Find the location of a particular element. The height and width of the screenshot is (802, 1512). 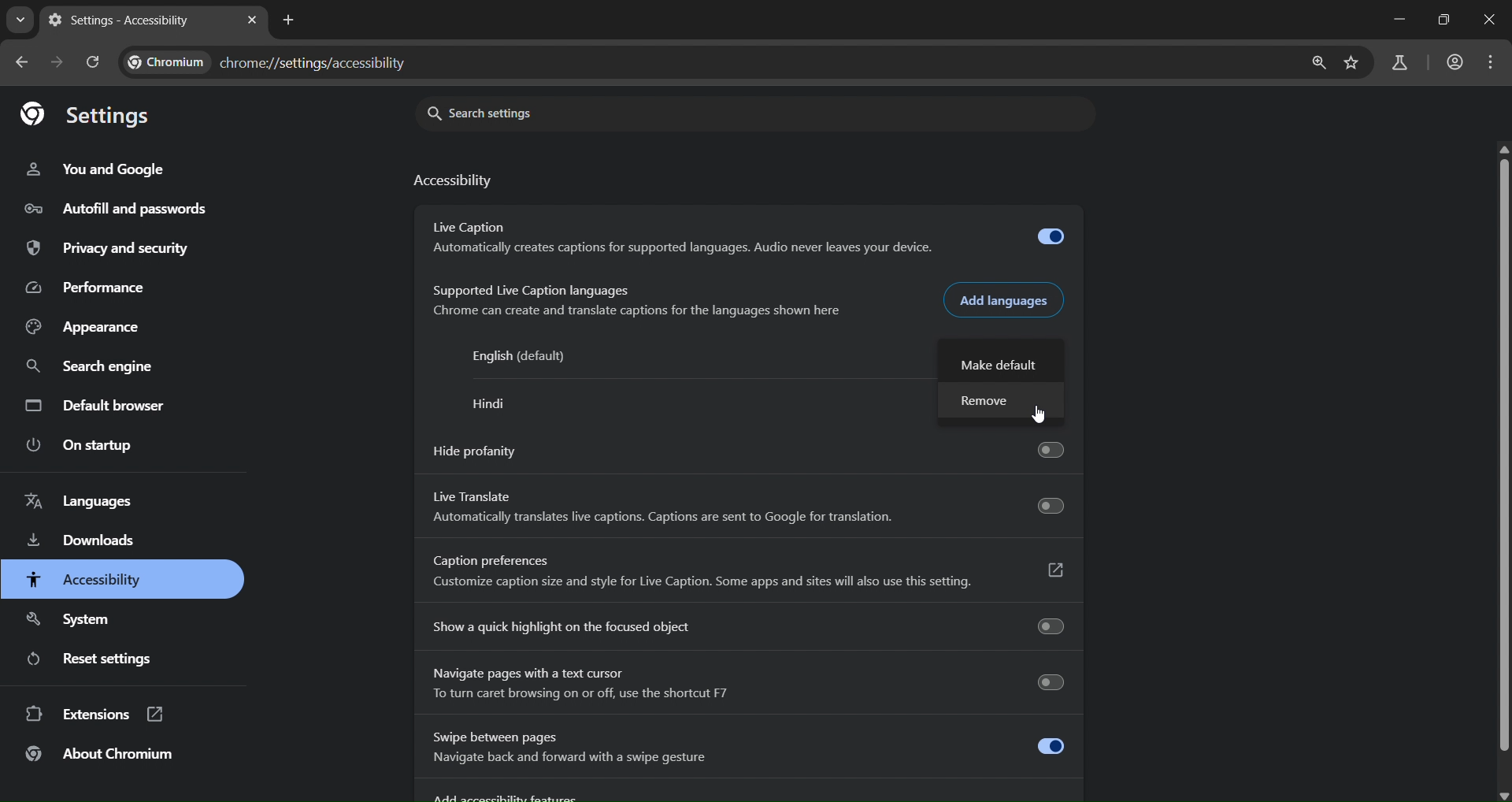

reset settings is located at coordinates (98, 658).